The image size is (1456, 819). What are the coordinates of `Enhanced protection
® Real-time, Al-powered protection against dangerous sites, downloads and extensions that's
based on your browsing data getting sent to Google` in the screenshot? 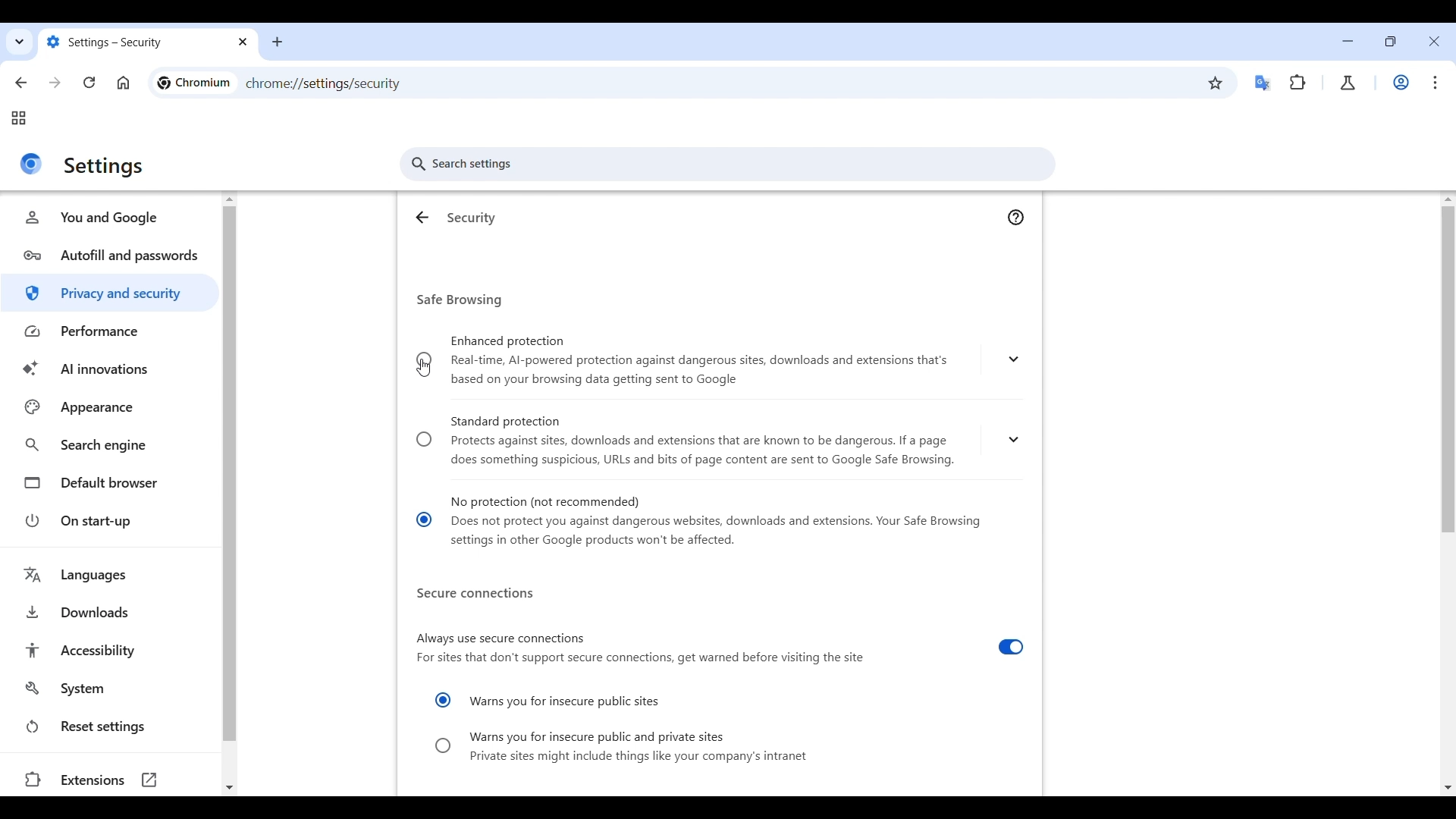 It's located at (683, 362).